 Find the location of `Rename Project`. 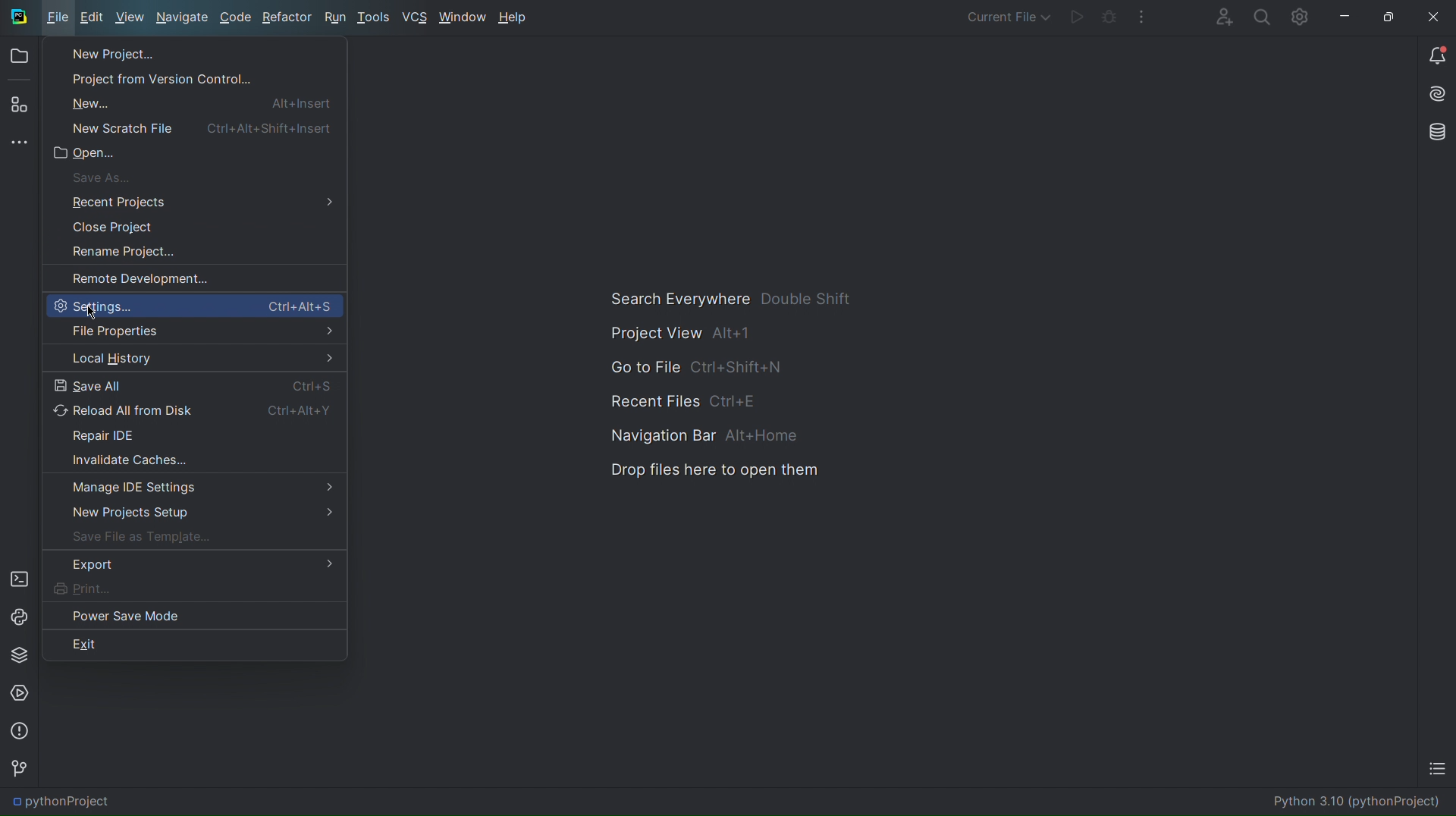

Rename Project is located at coordinates (113, 253).